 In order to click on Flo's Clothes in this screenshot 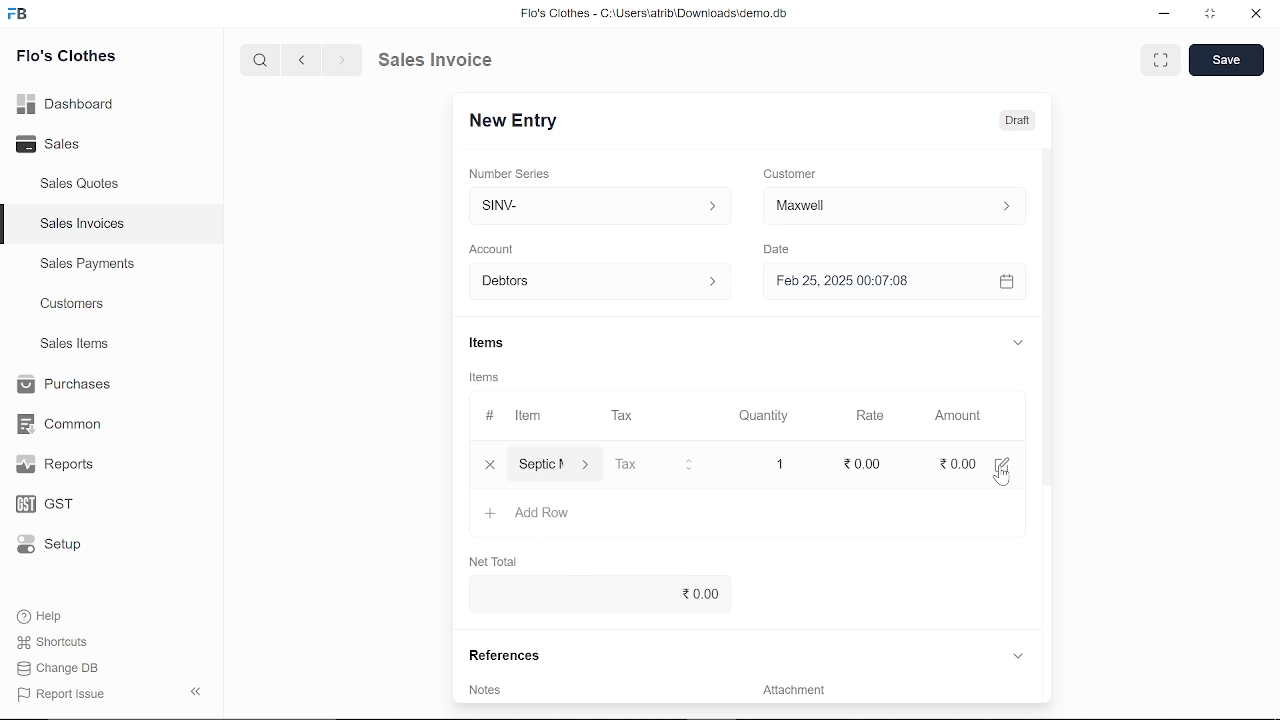, I will do `click(64, 59)`.